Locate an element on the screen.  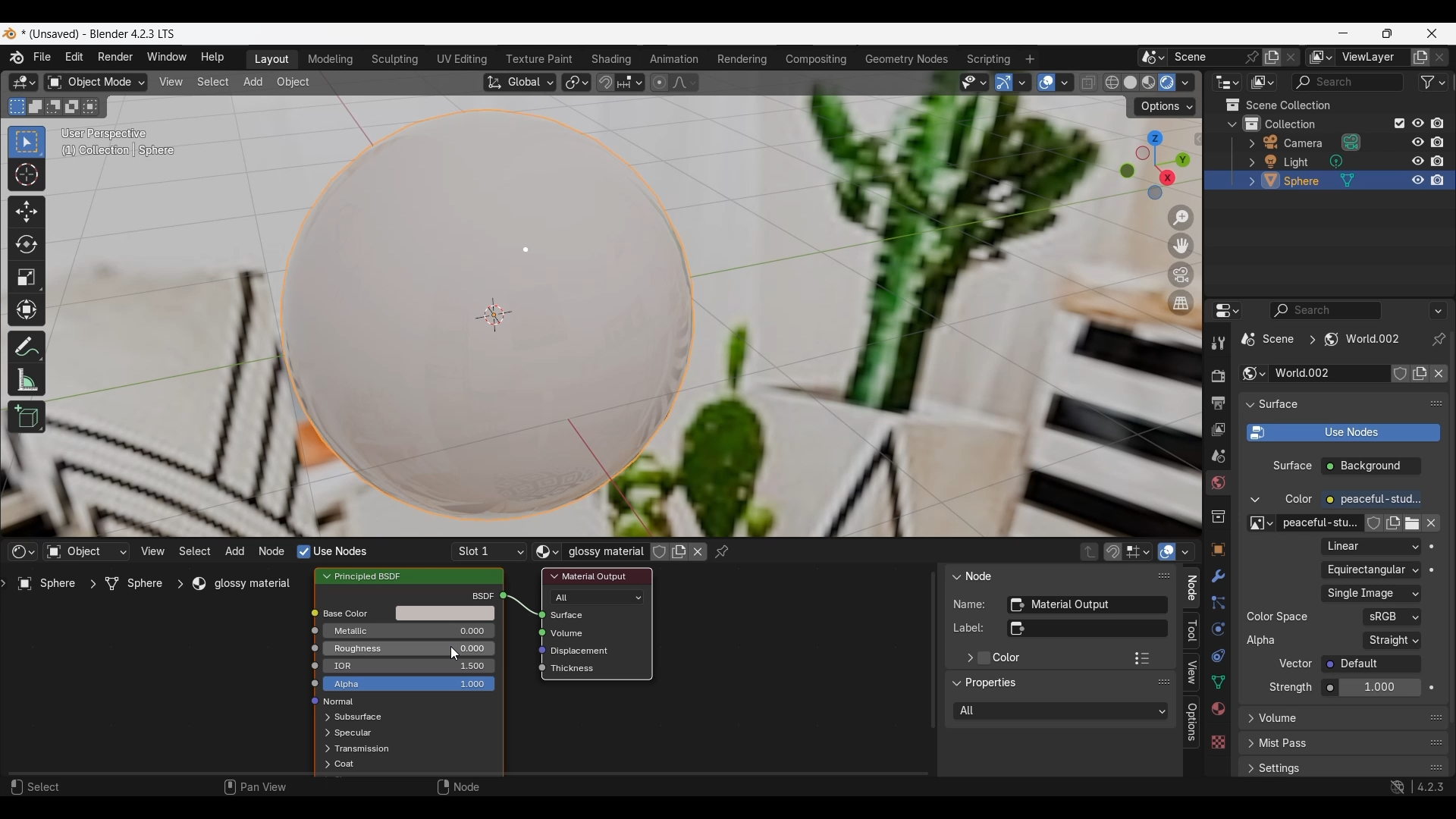
Select box is located at coordinates (27, 143).